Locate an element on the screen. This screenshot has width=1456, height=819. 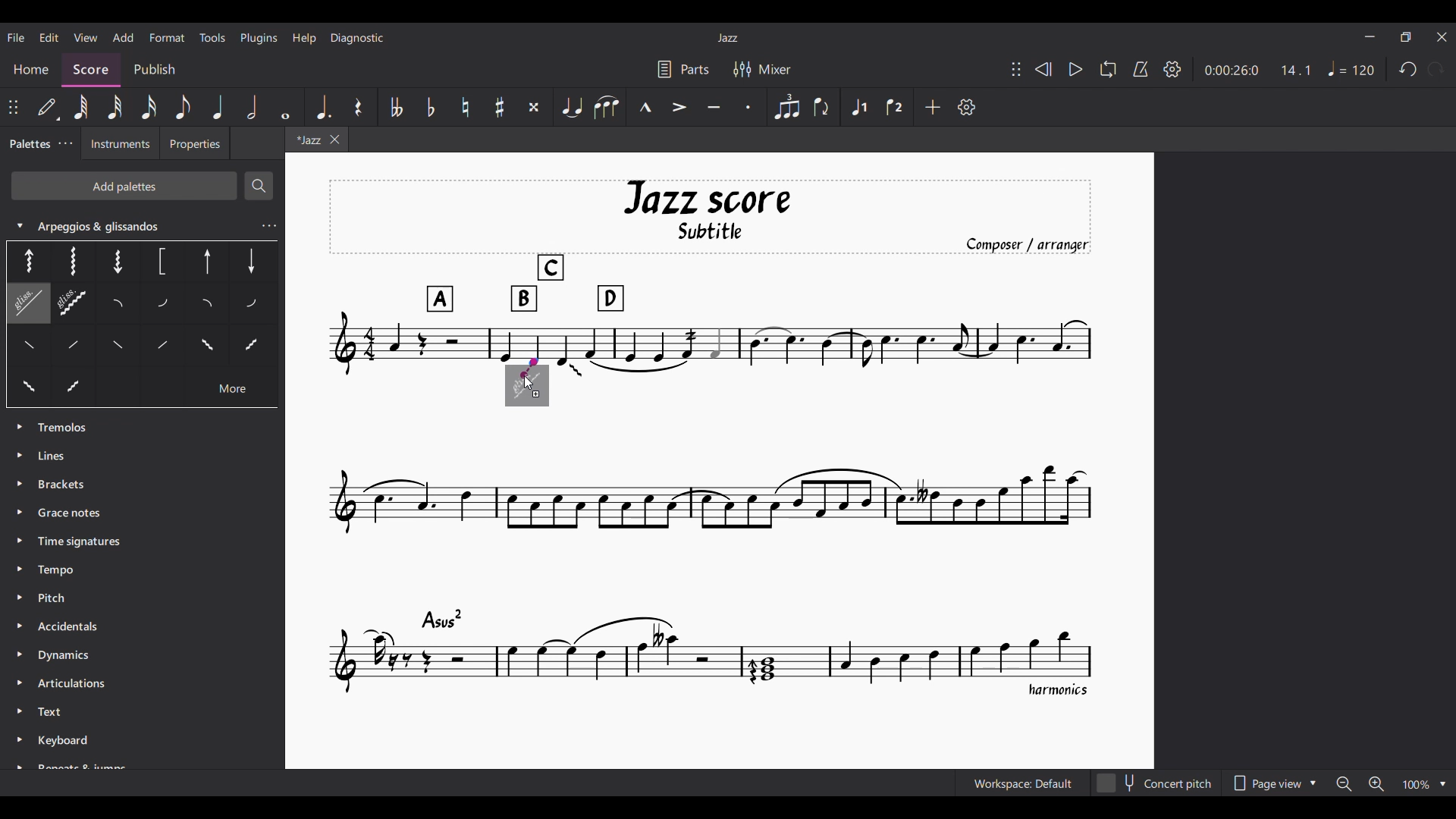
16th note is located at coordinates (148, 107).